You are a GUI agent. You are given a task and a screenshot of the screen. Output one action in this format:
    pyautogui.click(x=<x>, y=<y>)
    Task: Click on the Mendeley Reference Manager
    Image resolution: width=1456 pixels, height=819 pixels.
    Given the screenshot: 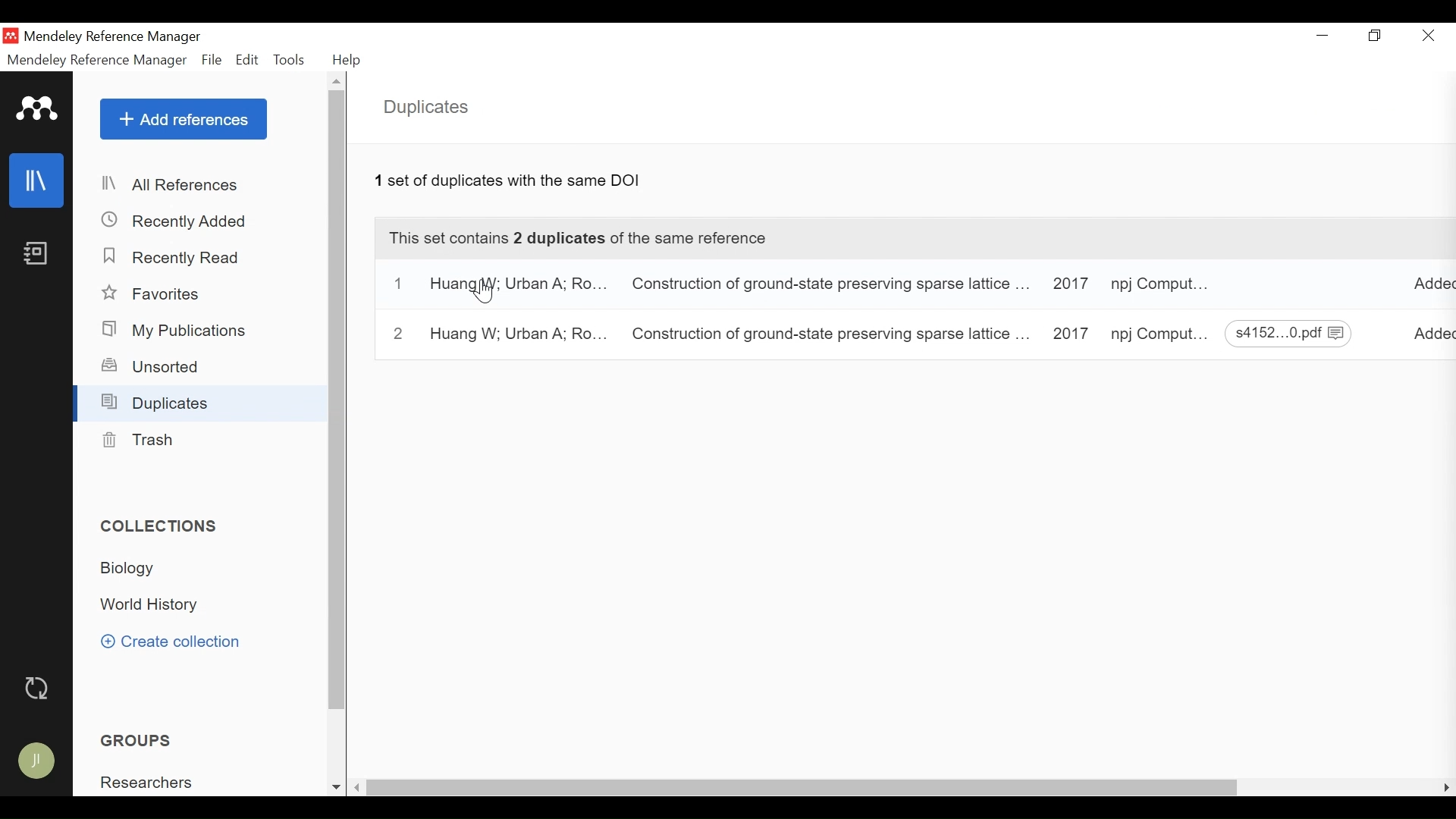 What is the action you would take?
    pyautogui.click(x=98, y=61)
    